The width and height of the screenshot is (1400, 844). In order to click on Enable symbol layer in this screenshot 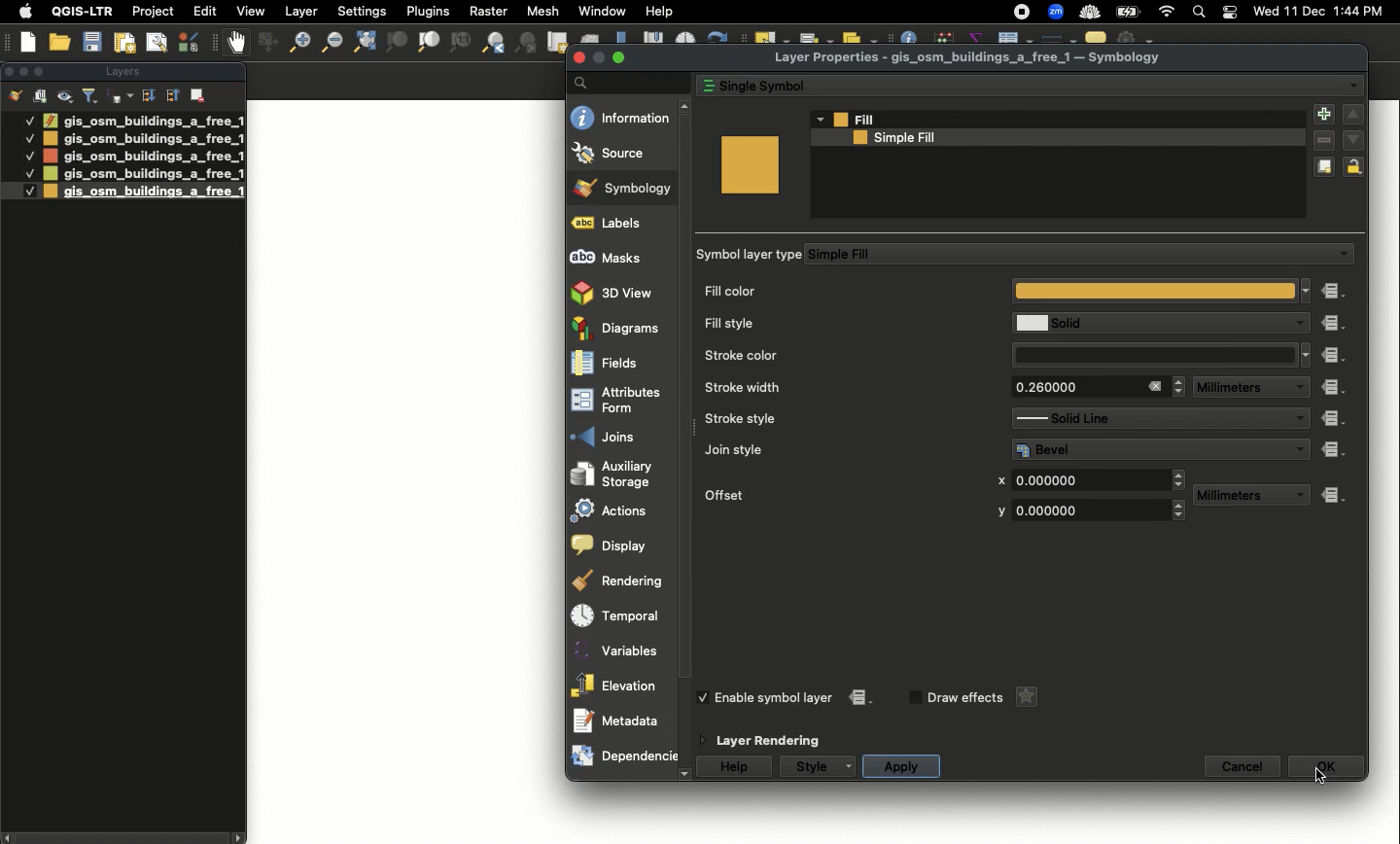, I will do `click(776, 697)`.